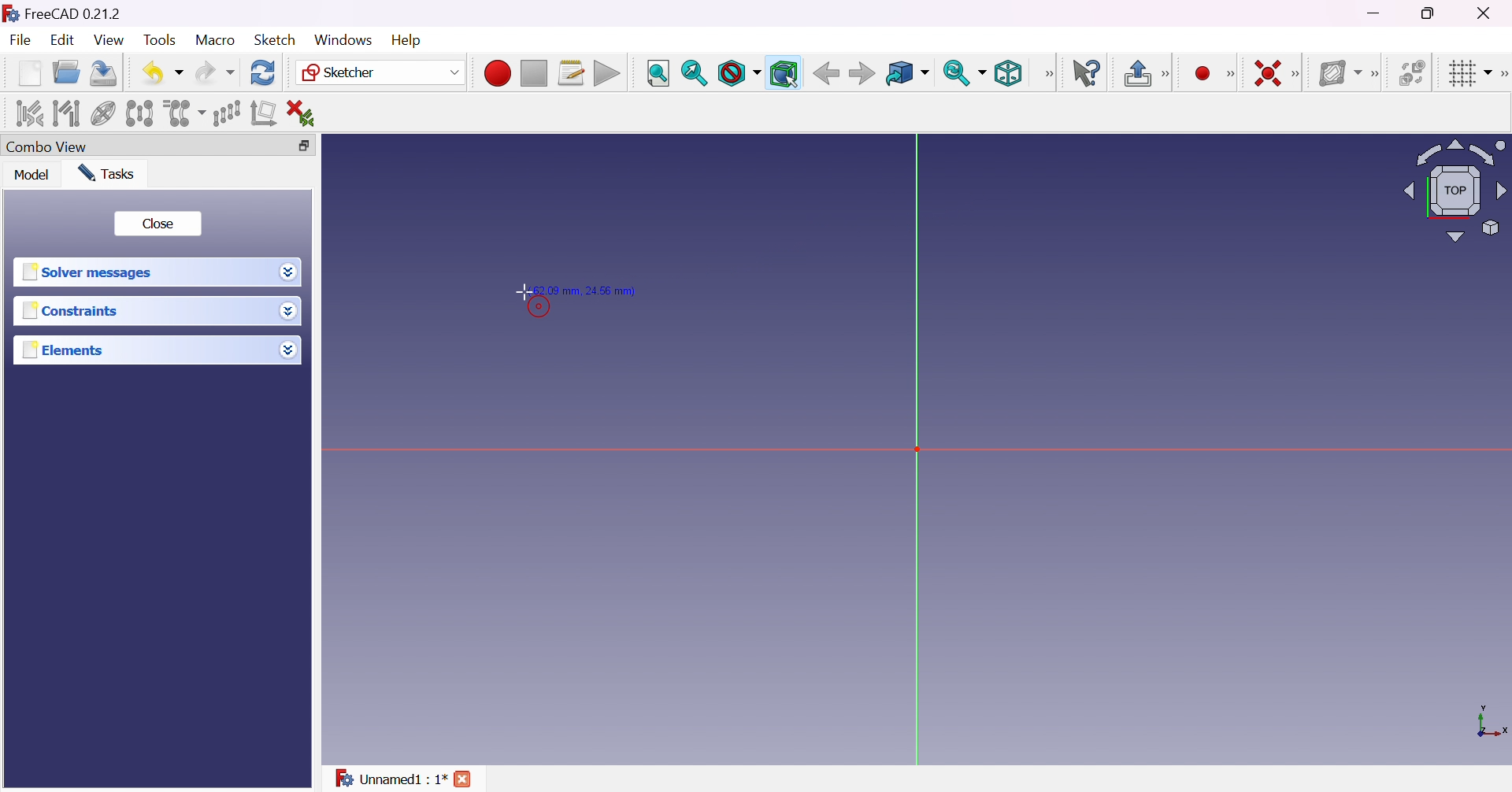  What do you see at coordinates (216, 39) in the screenshot?
I see `Macro` at bounding box center [216, 39].